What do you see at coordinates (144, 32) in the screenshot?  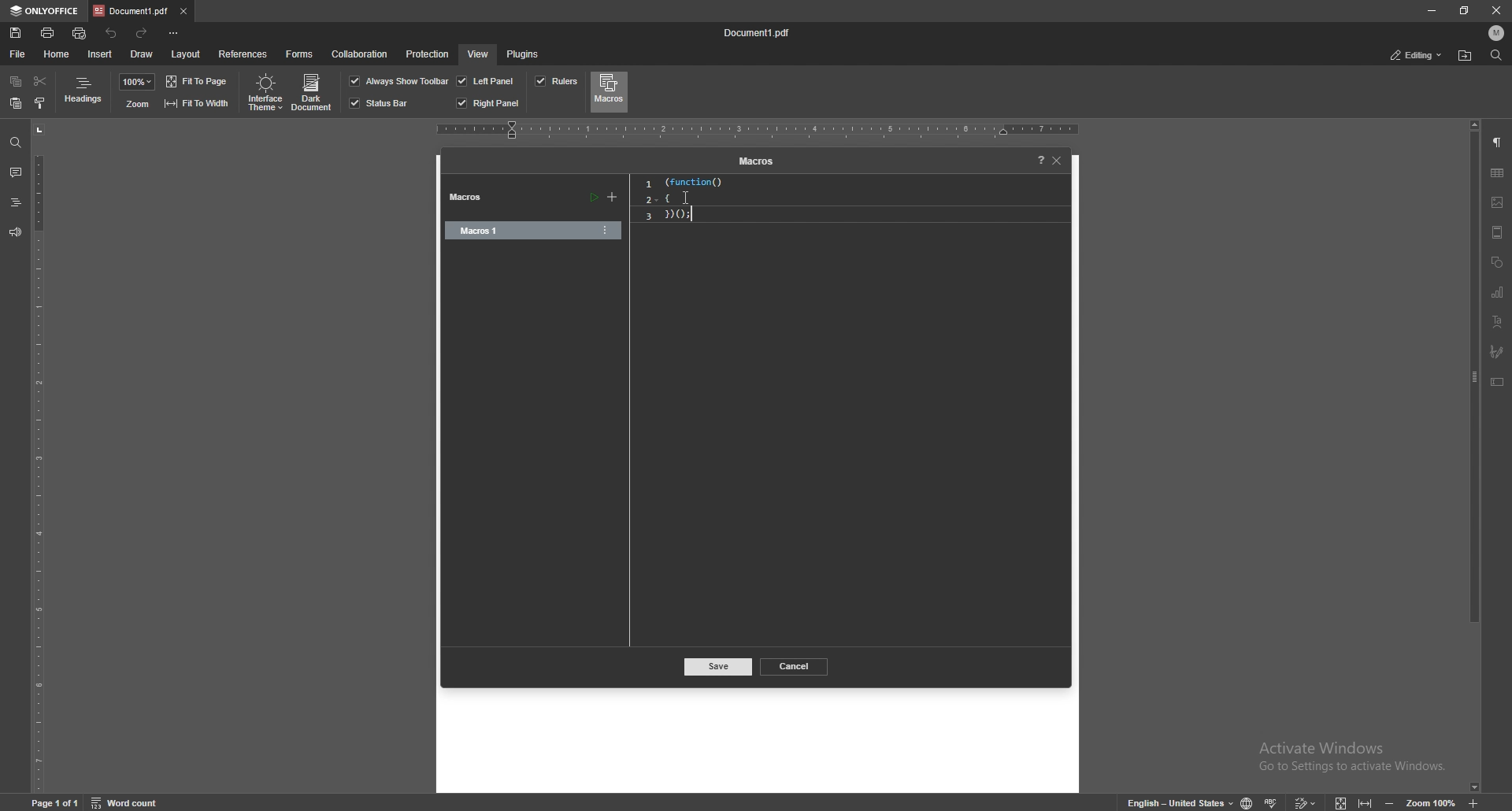 I see `redo` at bounding box center [144, 32].